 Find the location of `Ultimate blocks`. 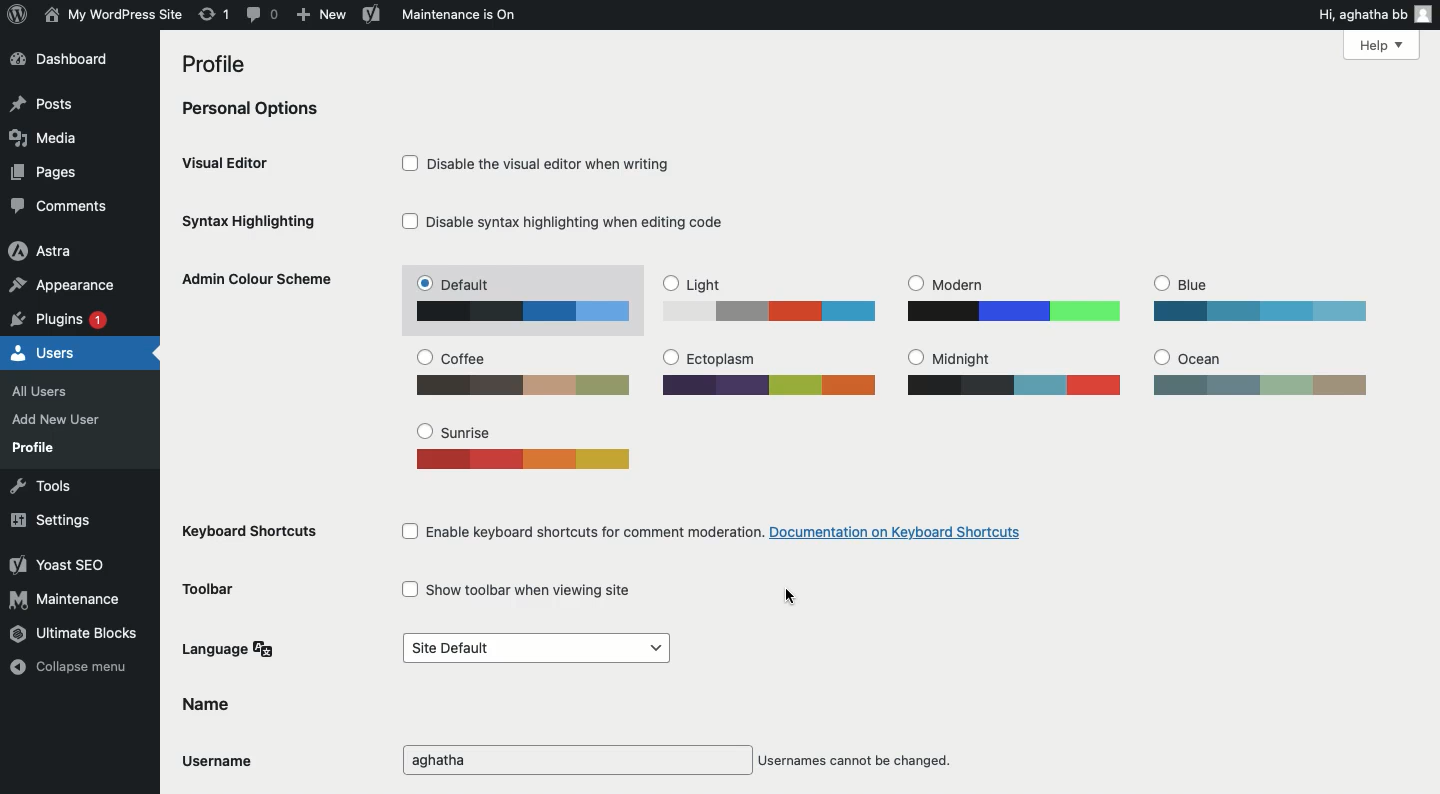

Ultimate blocks is located at coordinates (76, 634).